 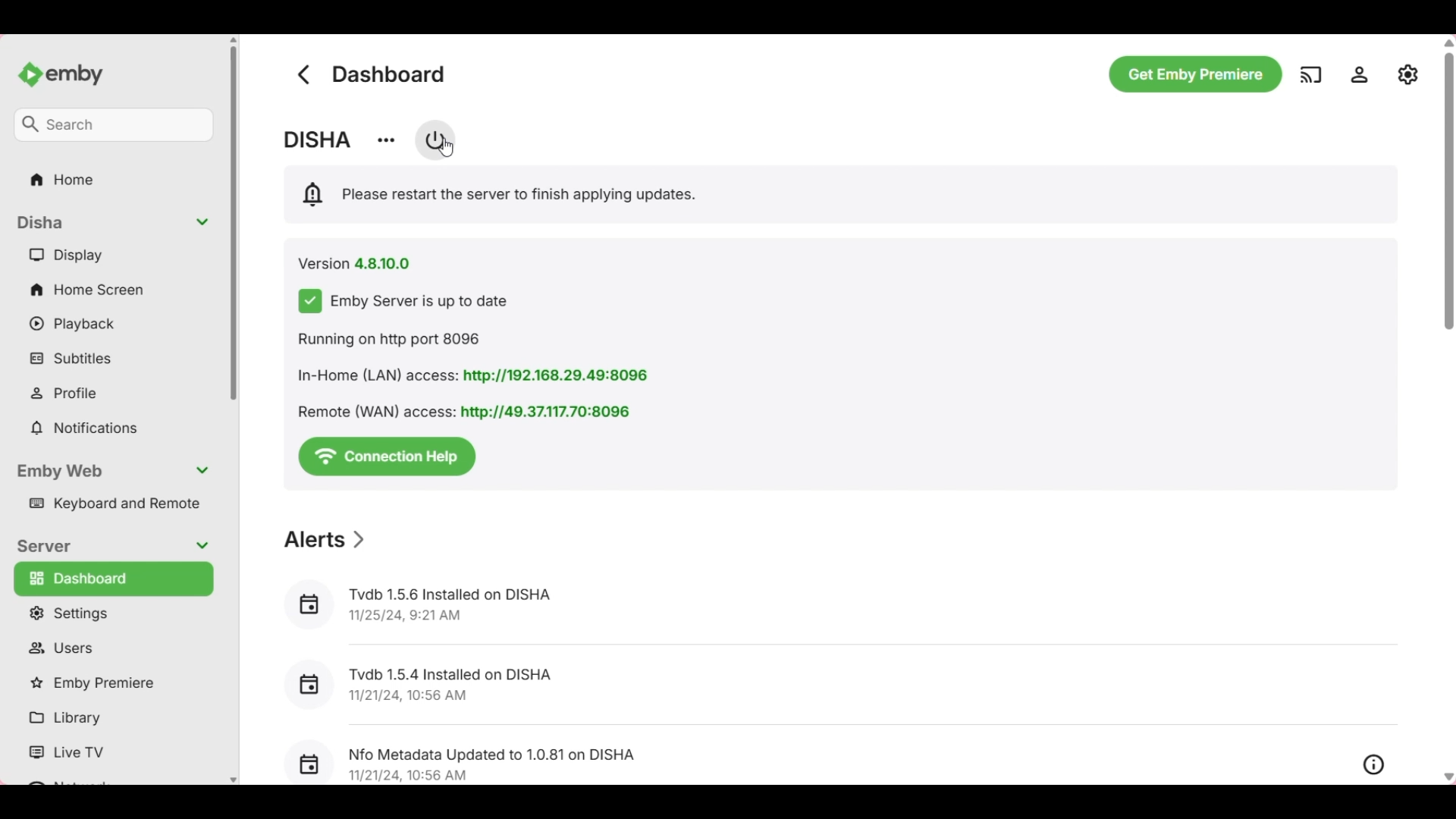 I want to click on Library, so click(x=110, y=718).